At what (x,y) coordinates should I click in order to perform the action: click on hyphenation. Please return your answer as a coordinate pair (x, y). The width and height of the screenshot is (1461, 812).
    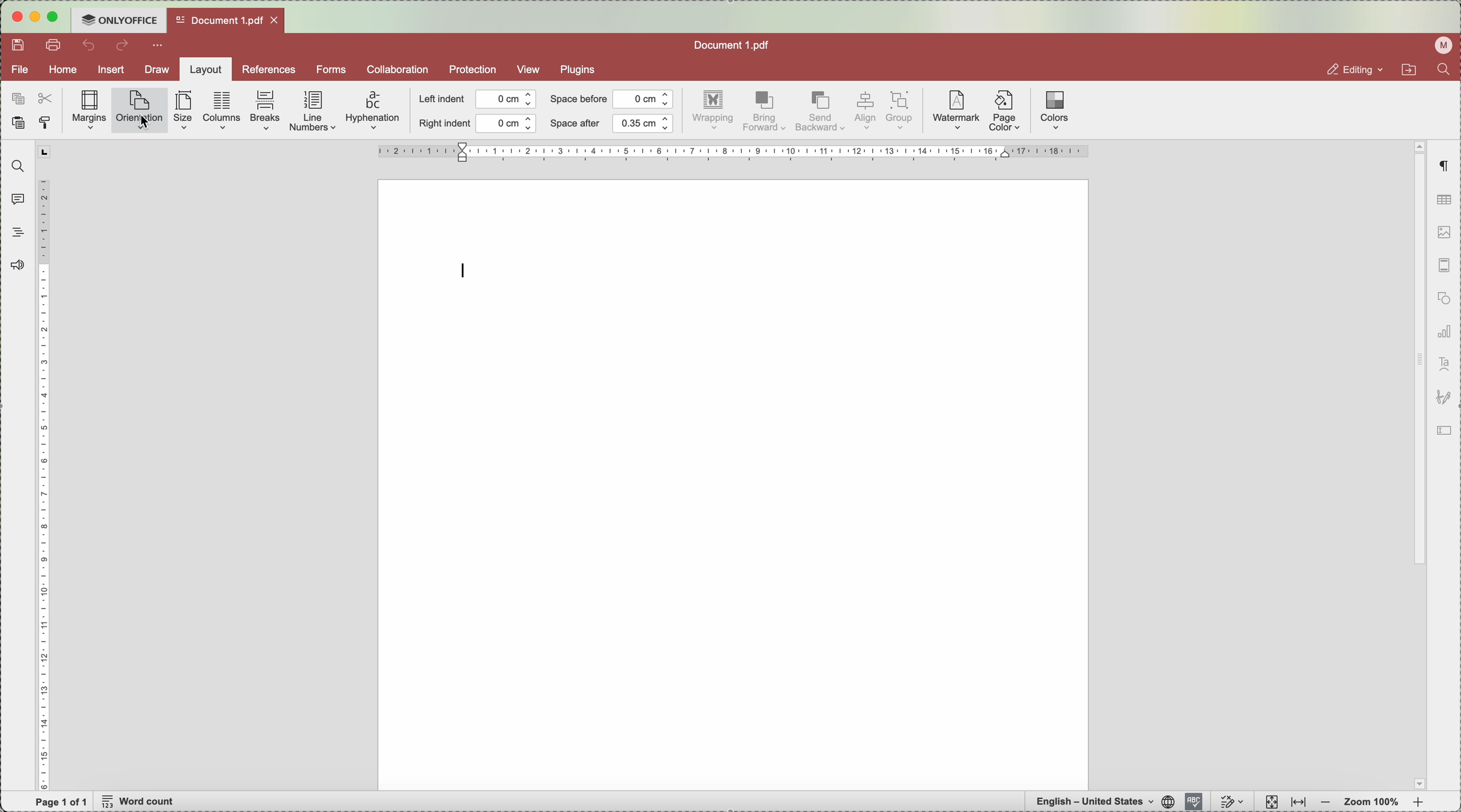
    Looking at the image, I should click on (373, 111).